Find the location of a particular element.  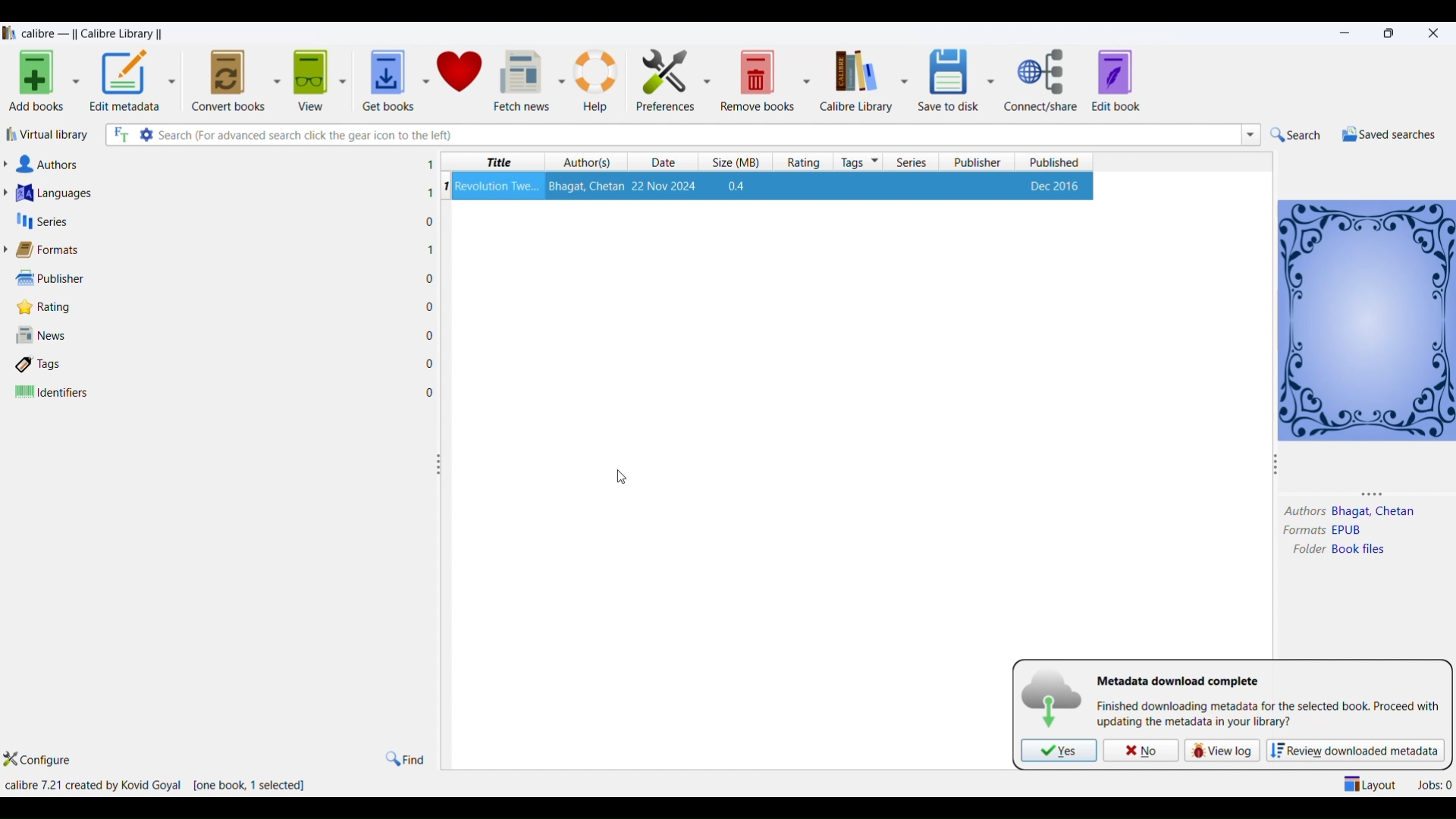

1 is located at coordinates (429, 193).